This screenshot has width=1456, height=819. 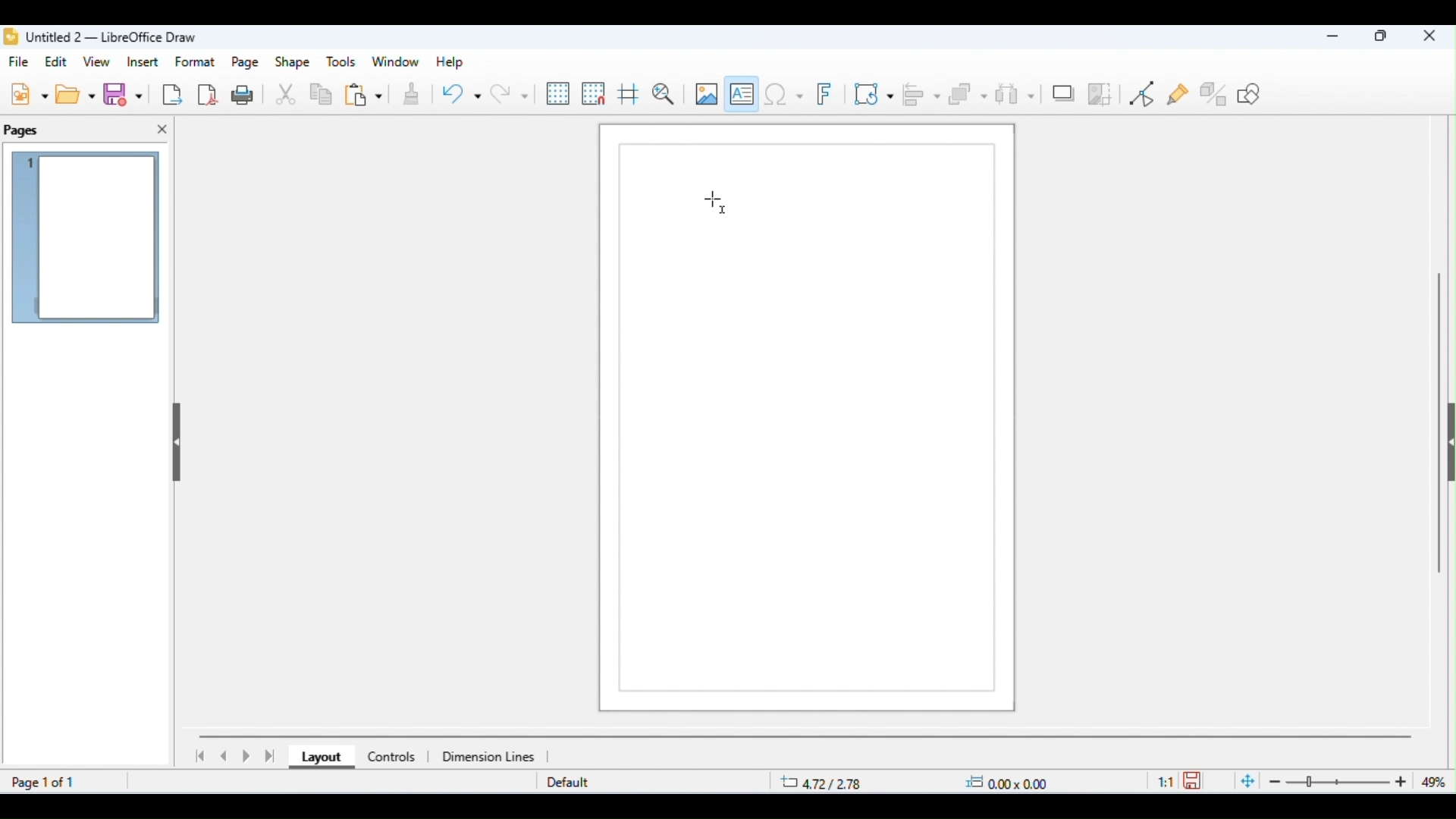 I want to click on export as pdf, so click(x=209, y=93).